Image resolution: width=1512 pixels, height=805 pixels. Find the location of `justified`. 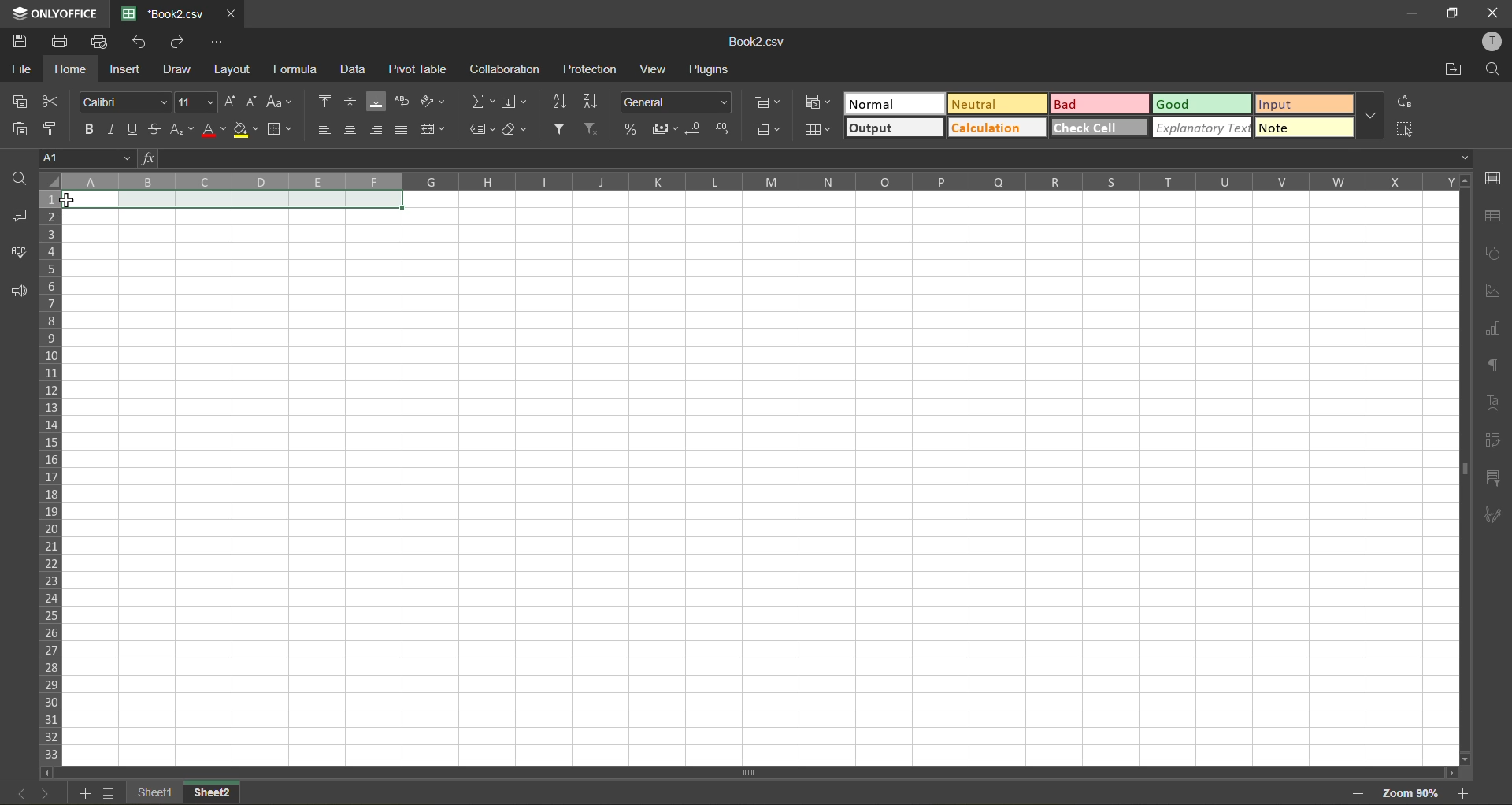

justified is located at coordinates (405, 131).